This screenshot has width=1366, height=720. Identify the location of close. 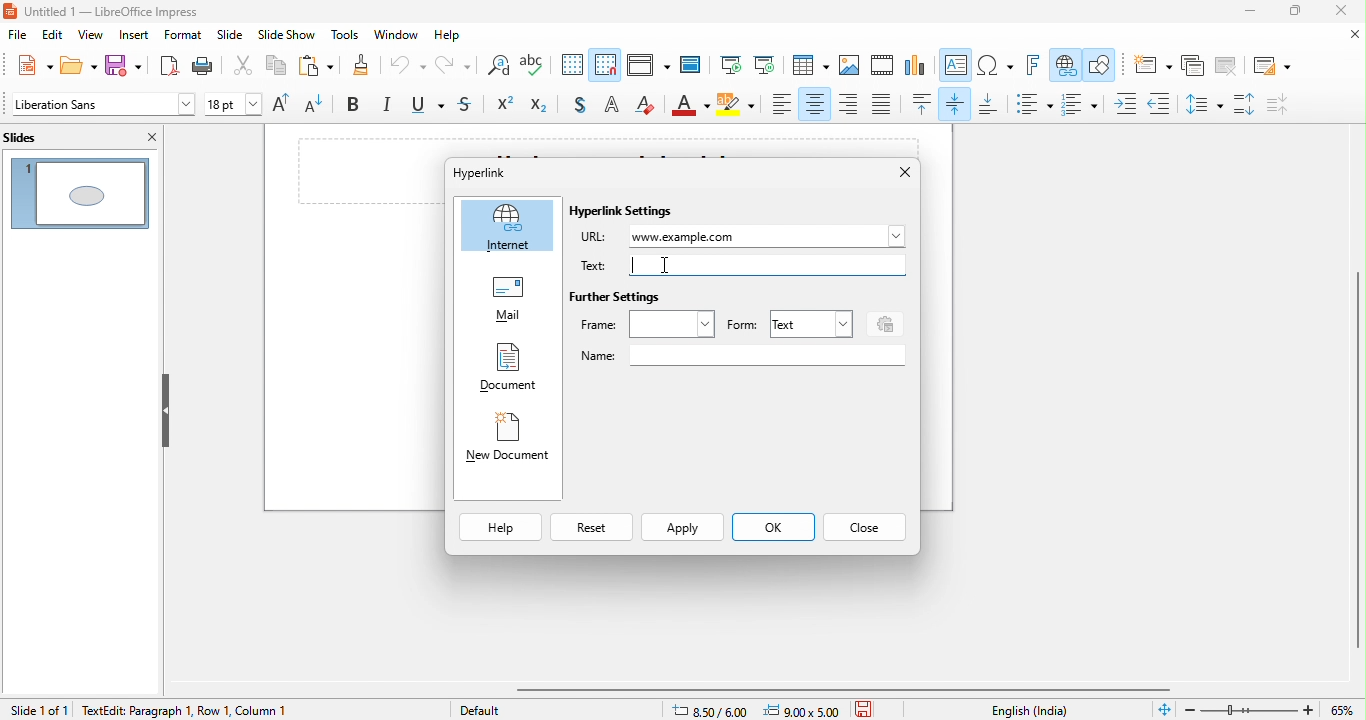
(1346, 12).